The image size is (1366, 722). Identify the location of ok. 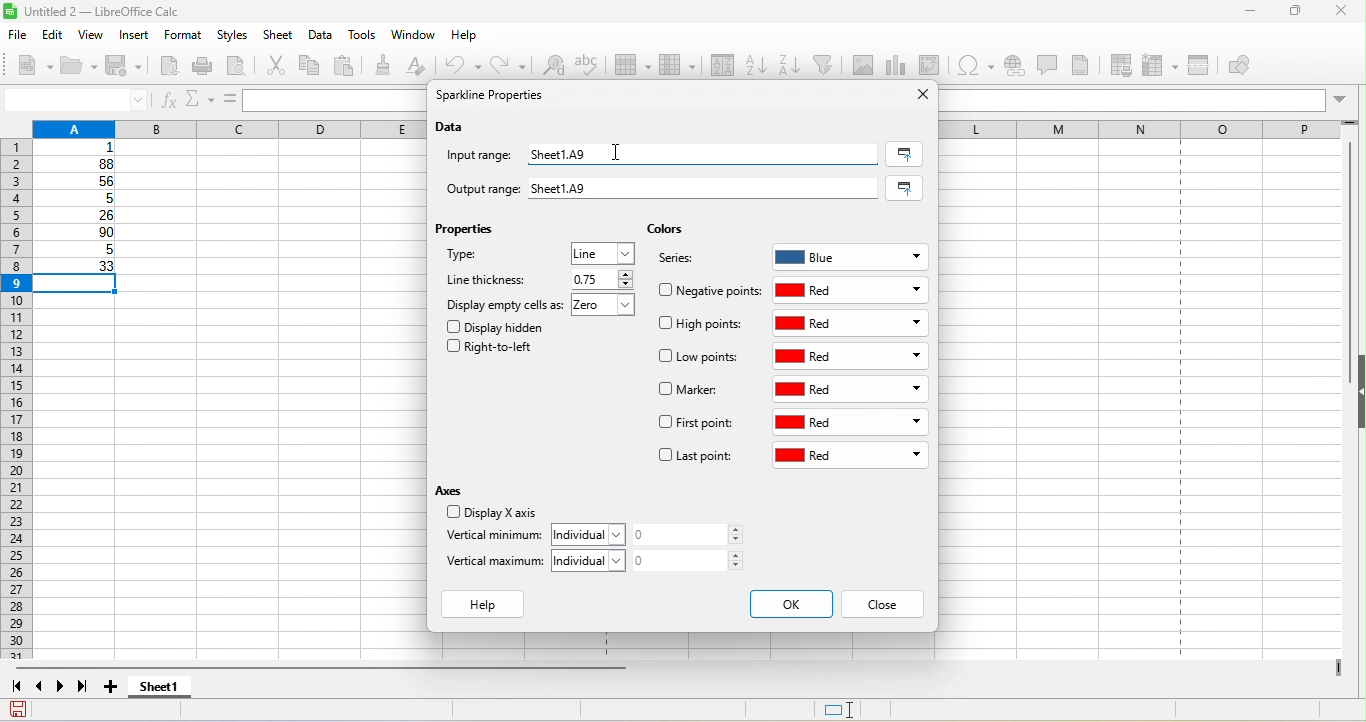
(790, 604).